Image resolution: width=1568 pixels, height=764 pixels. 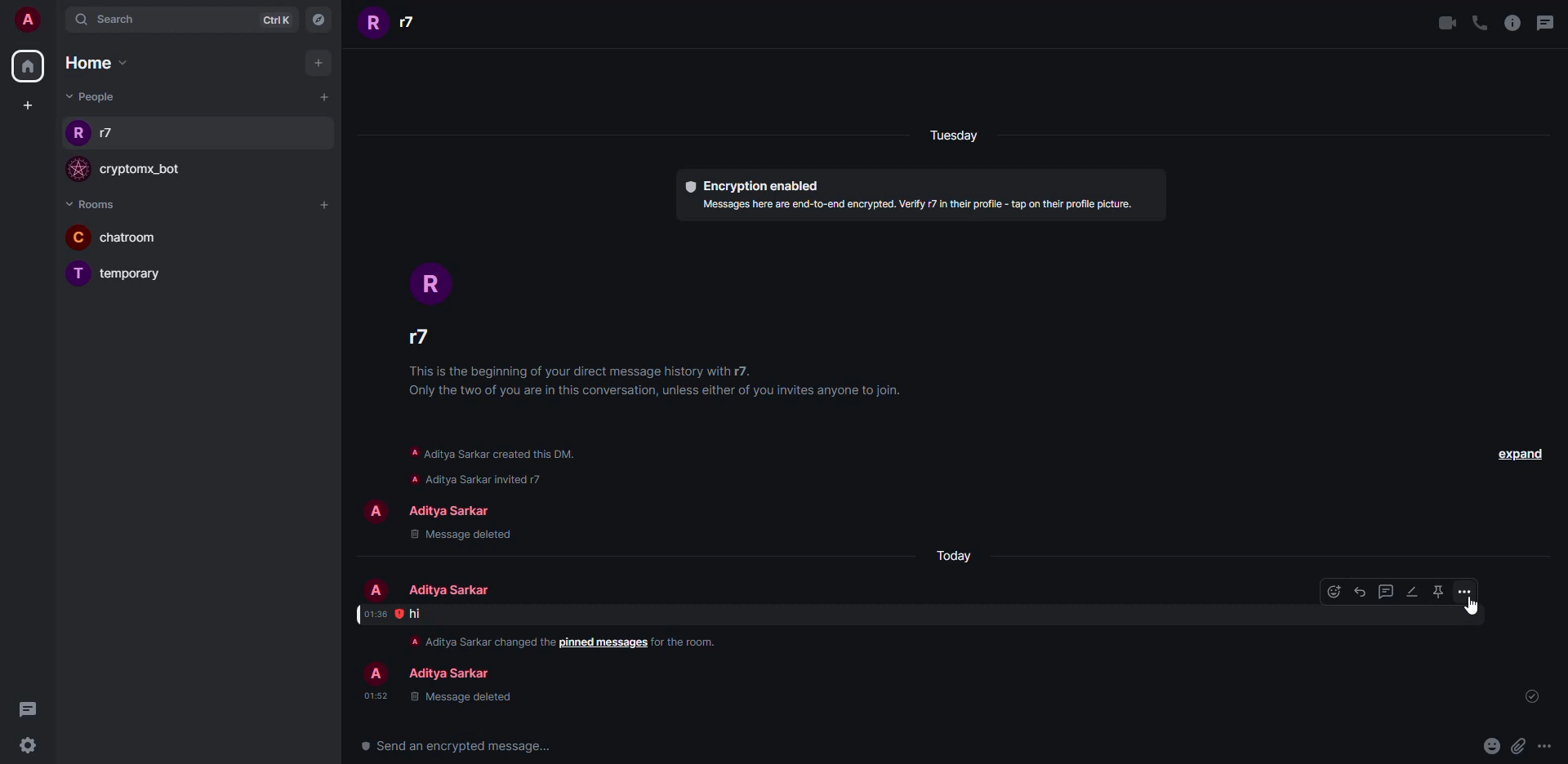 I want to click on video call, so click(x=1442, y=22).